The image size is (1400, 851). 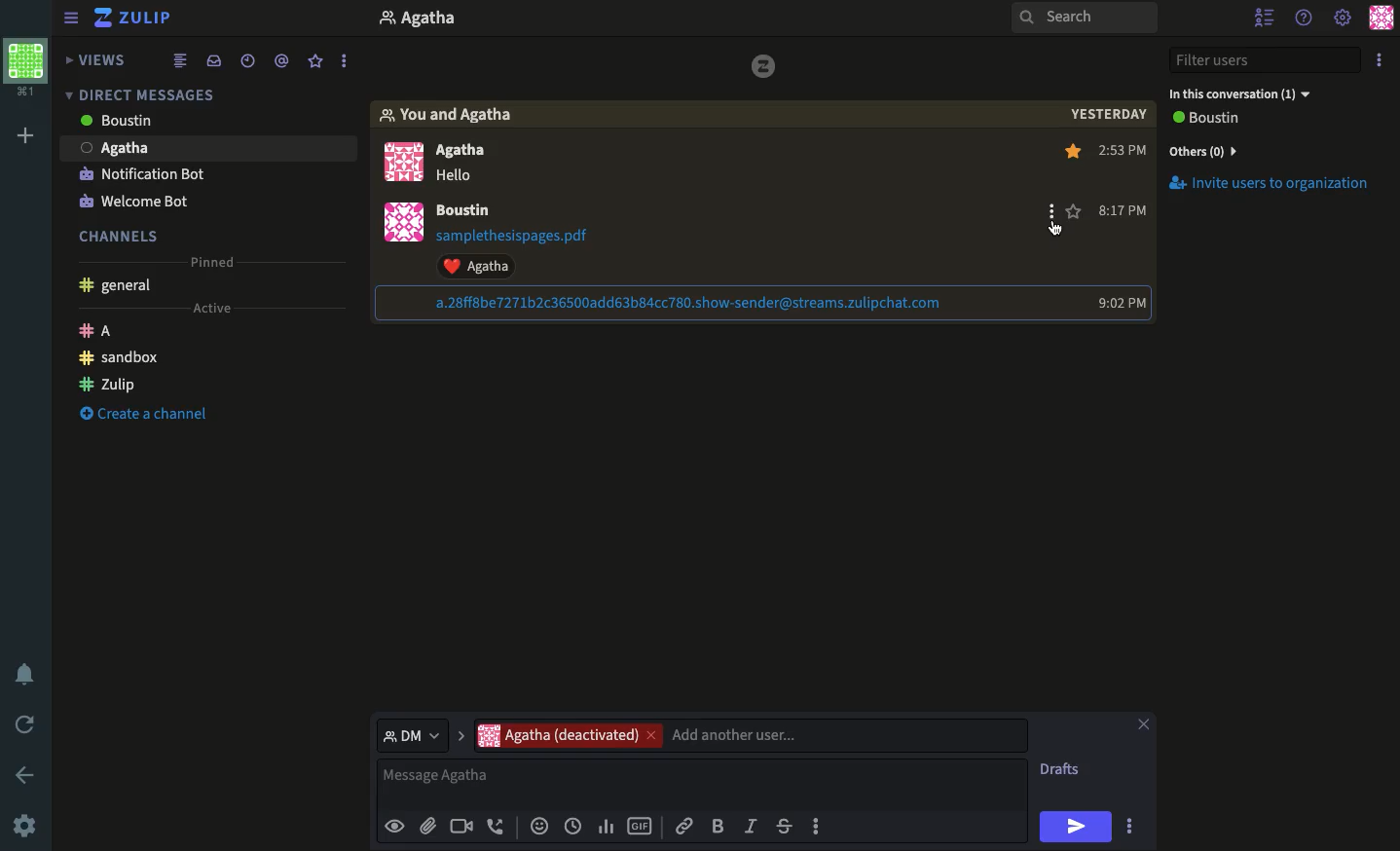 What do you see at coordinates (1383, 17) in the screenshot?
I see `Profile` at bounding box center [1383, 17].